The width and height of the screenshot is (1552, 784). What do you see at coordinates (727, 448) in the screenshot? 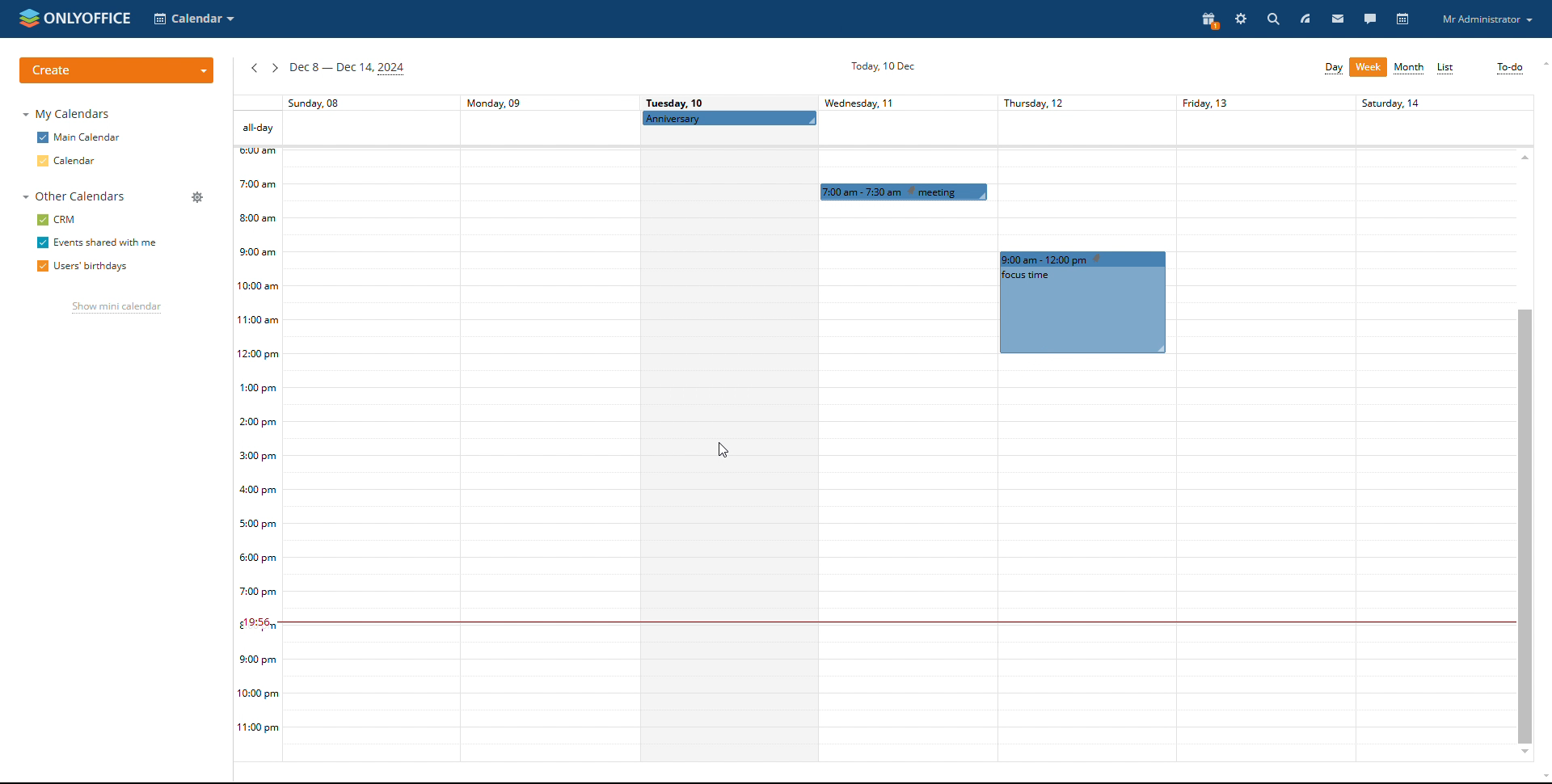
I see `tuesday` at bounding box center [727, 448].